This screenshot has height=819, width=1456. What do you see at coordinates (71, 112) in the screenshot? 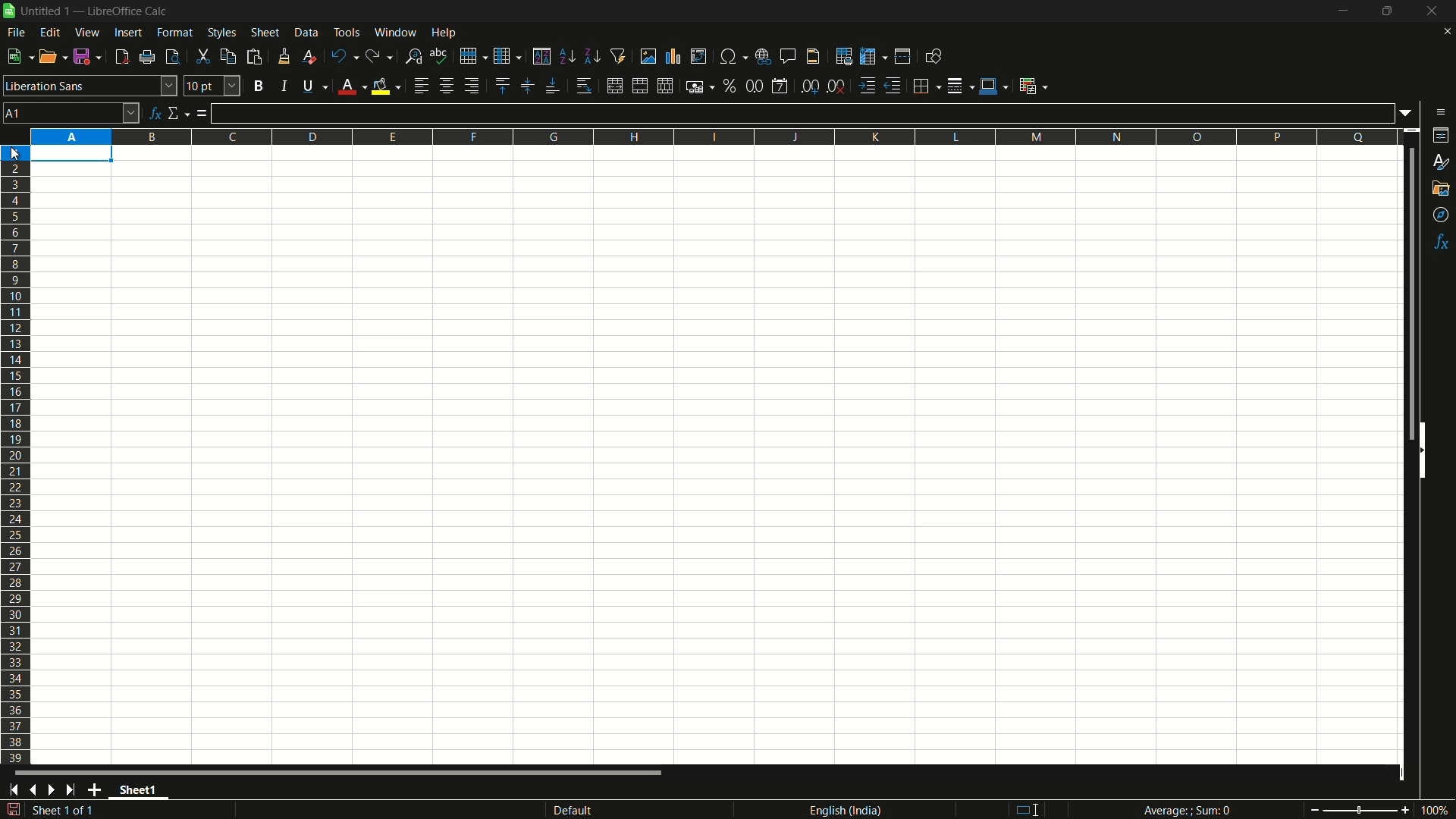
I see `cell name` at bounding box center [71, 112].